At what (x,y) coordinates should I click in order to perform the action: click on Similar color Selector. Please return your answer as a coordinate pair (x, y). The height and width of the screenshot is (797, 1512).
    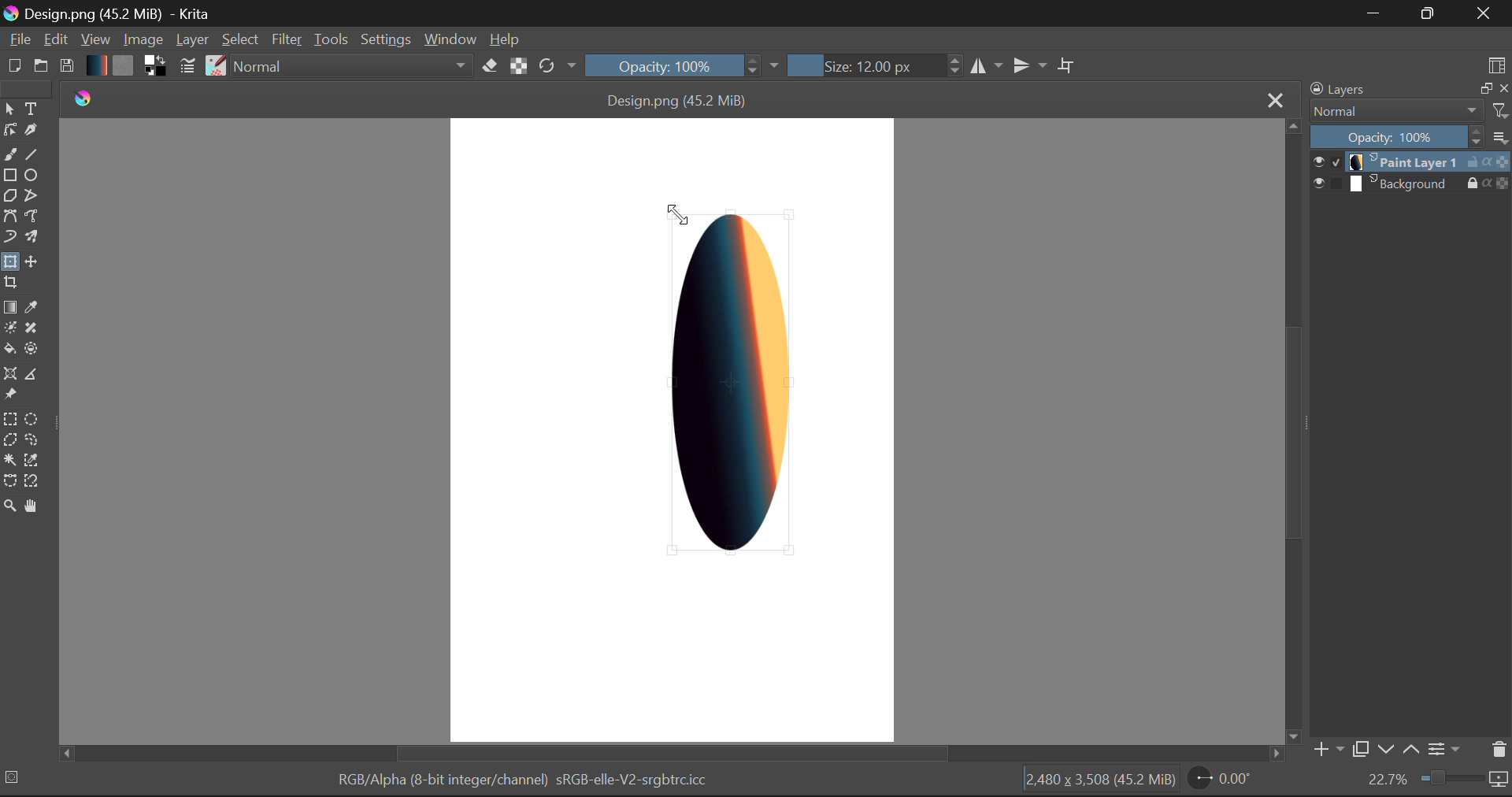
    Looking at the image, I should click on (32, 461).